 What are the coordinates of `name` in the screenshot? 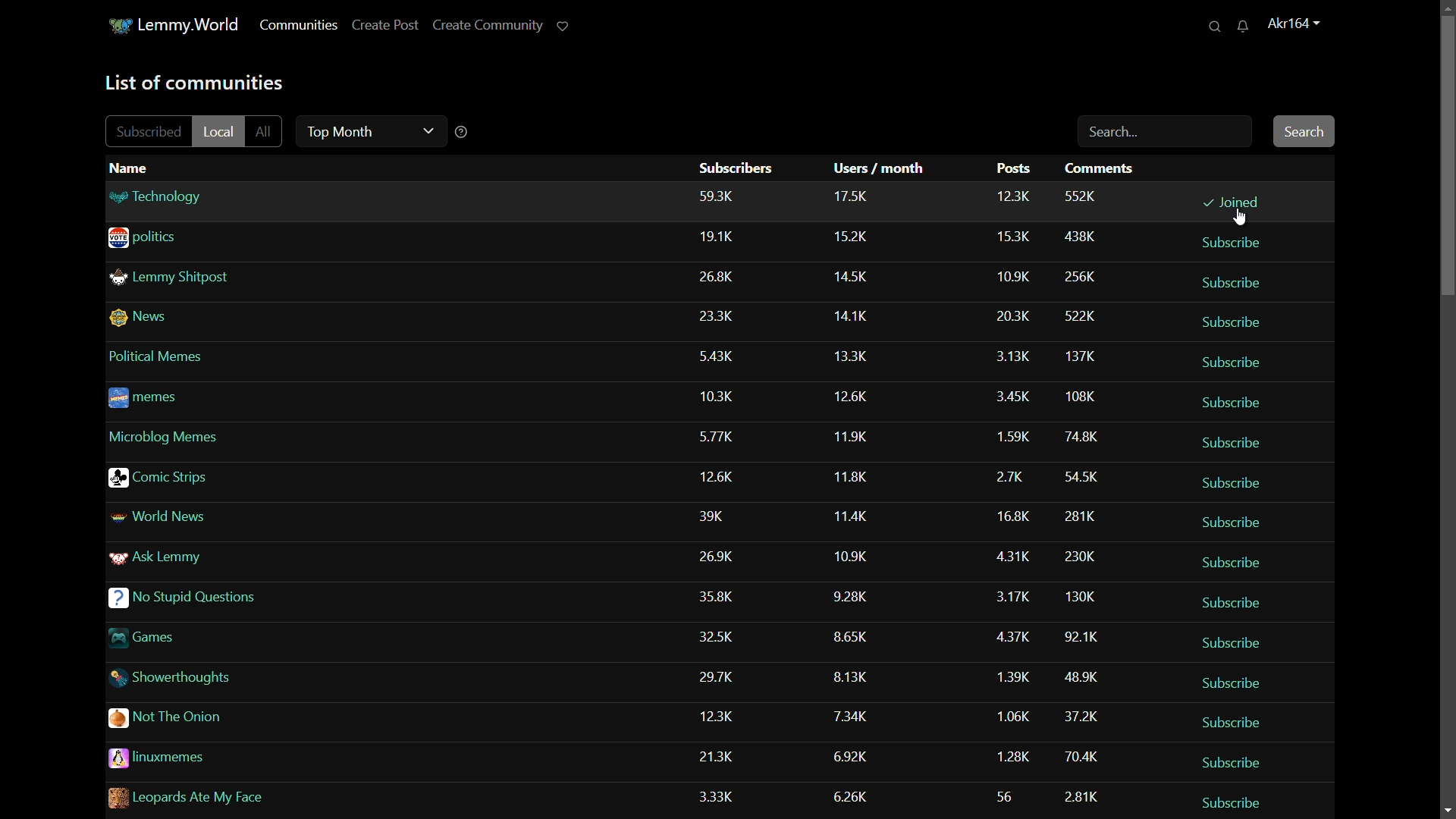 It's located at (131, 168).